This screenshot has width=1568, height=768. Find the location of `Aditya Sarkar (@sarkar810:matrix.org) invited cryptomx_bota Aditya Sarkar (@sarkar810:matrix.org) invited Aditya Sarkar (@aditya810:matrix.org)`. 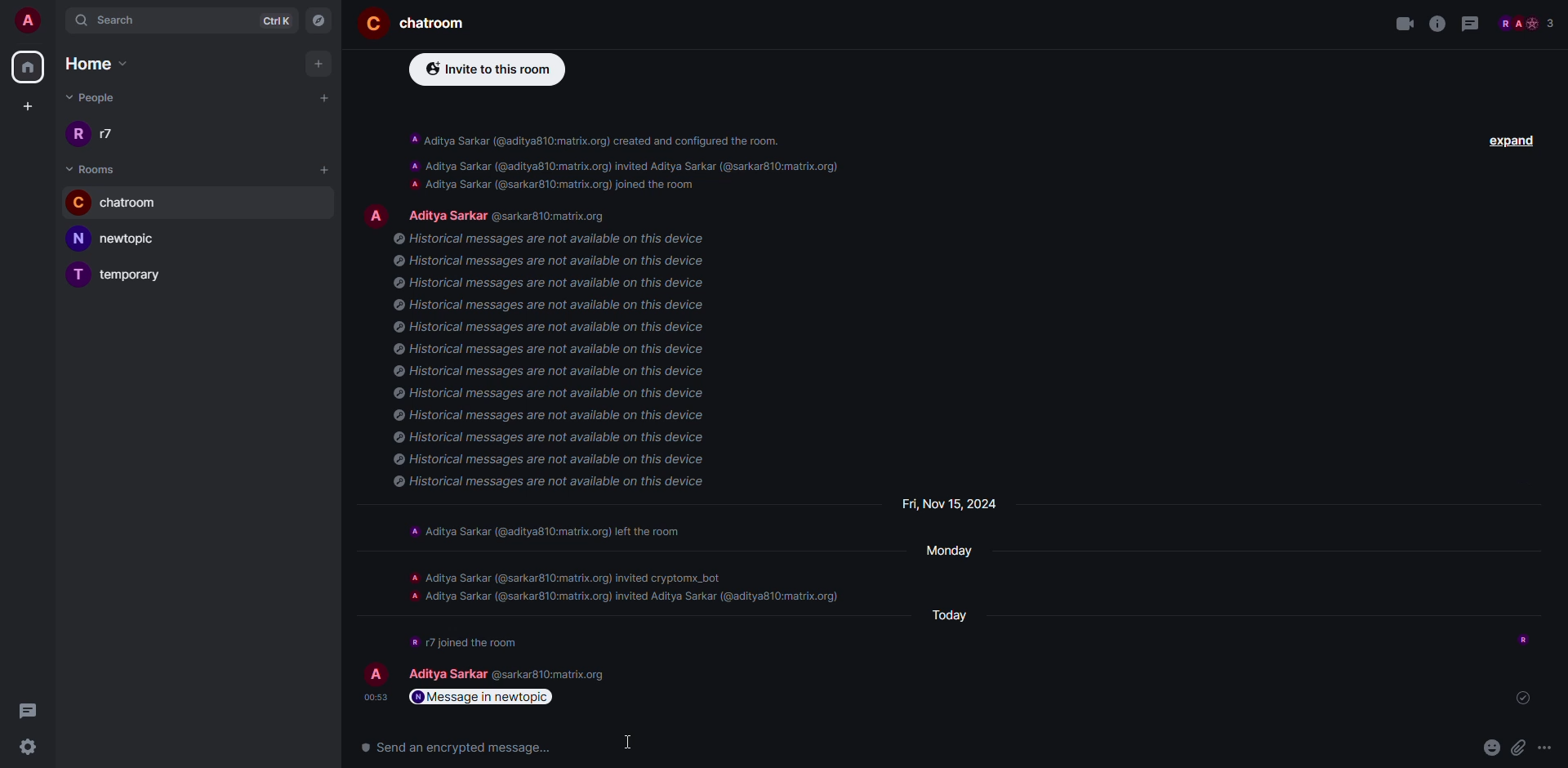

Aditya Sarkar (@sarkar810:matrix.org) invited cryptomx_bota Aditya Sarkar (@sarkar810:matrix.org) invited Aditya Sarkar (@aditya810:matrix.org) is located at coordinates (513, 670).